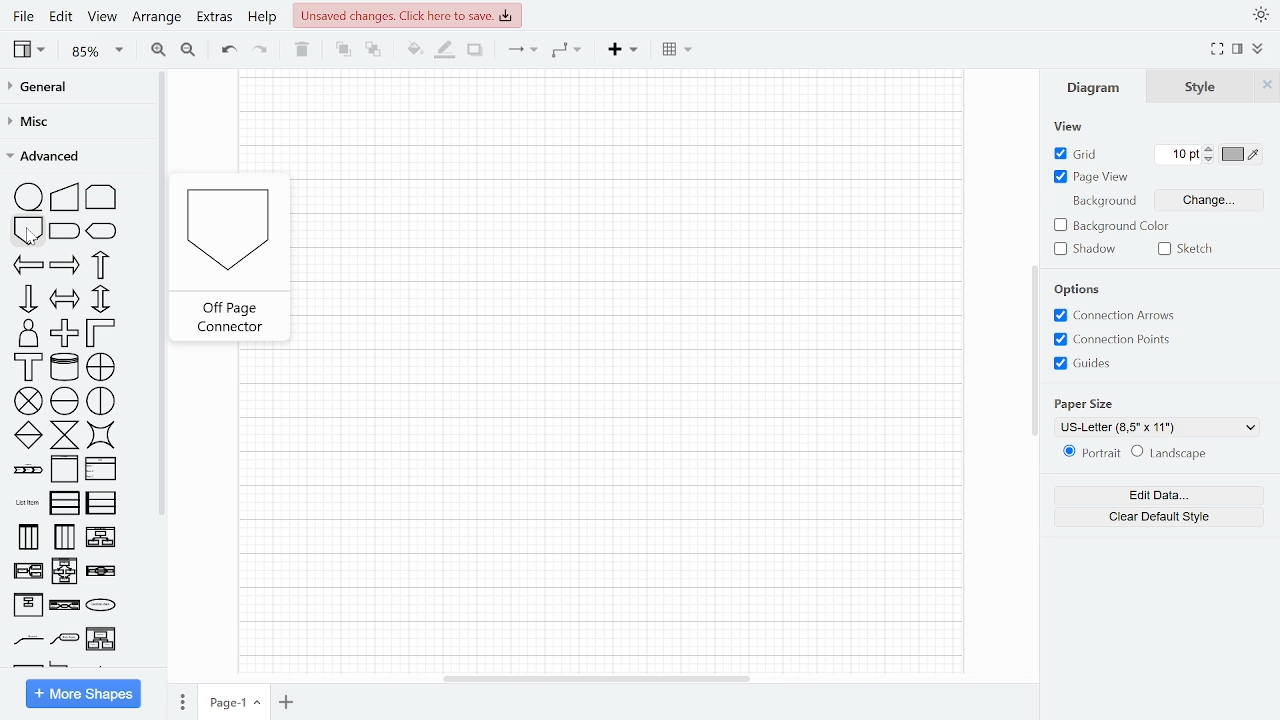 This screenshot has width=1280, height=720. What do you see at coordinates (1114, 341) in the screenshot?
I see `Connection points` at bounding box center [1114, 341].